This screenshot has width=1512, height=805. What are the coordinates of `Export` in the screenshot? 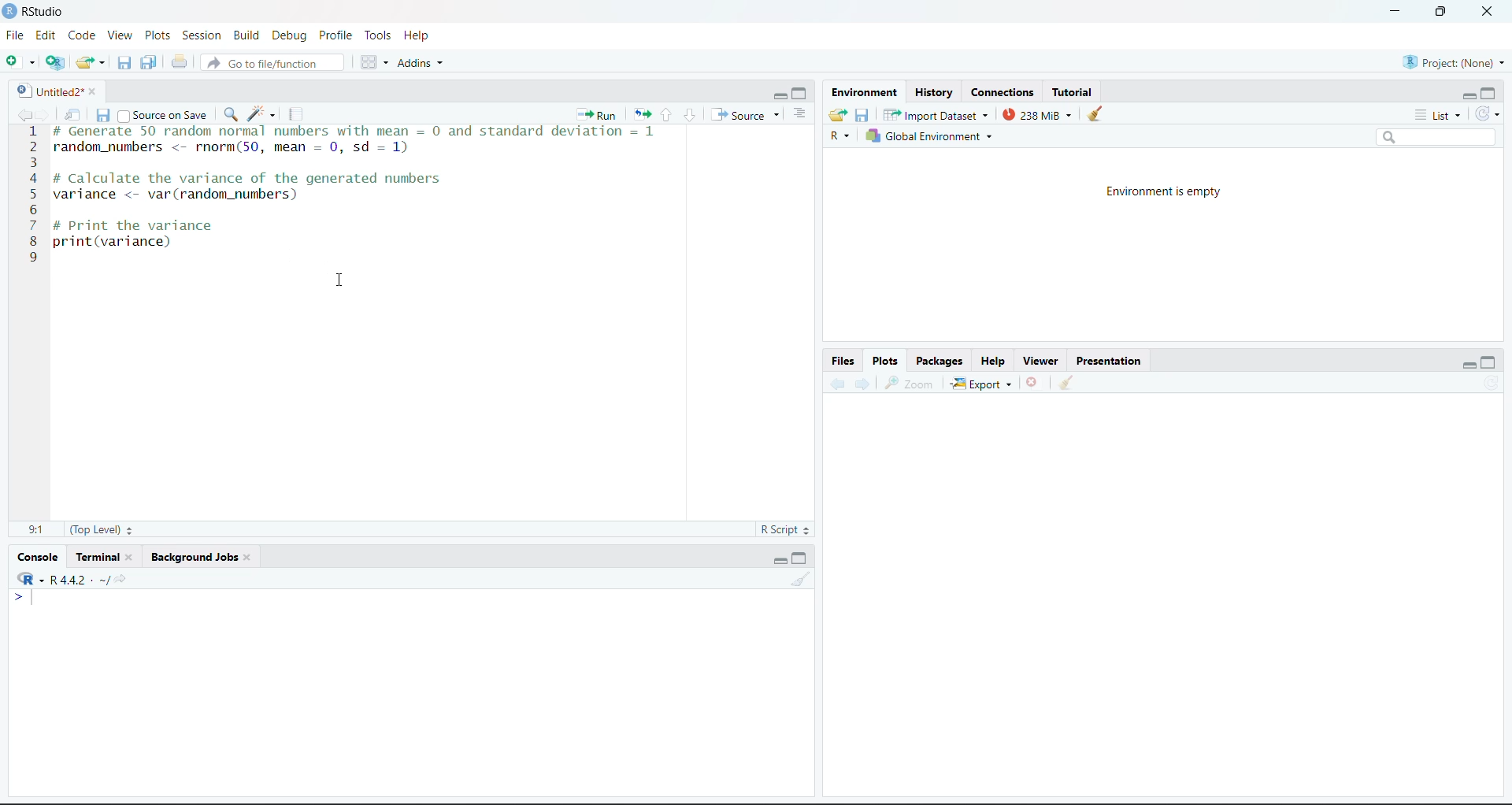 It's located at (982, 384).